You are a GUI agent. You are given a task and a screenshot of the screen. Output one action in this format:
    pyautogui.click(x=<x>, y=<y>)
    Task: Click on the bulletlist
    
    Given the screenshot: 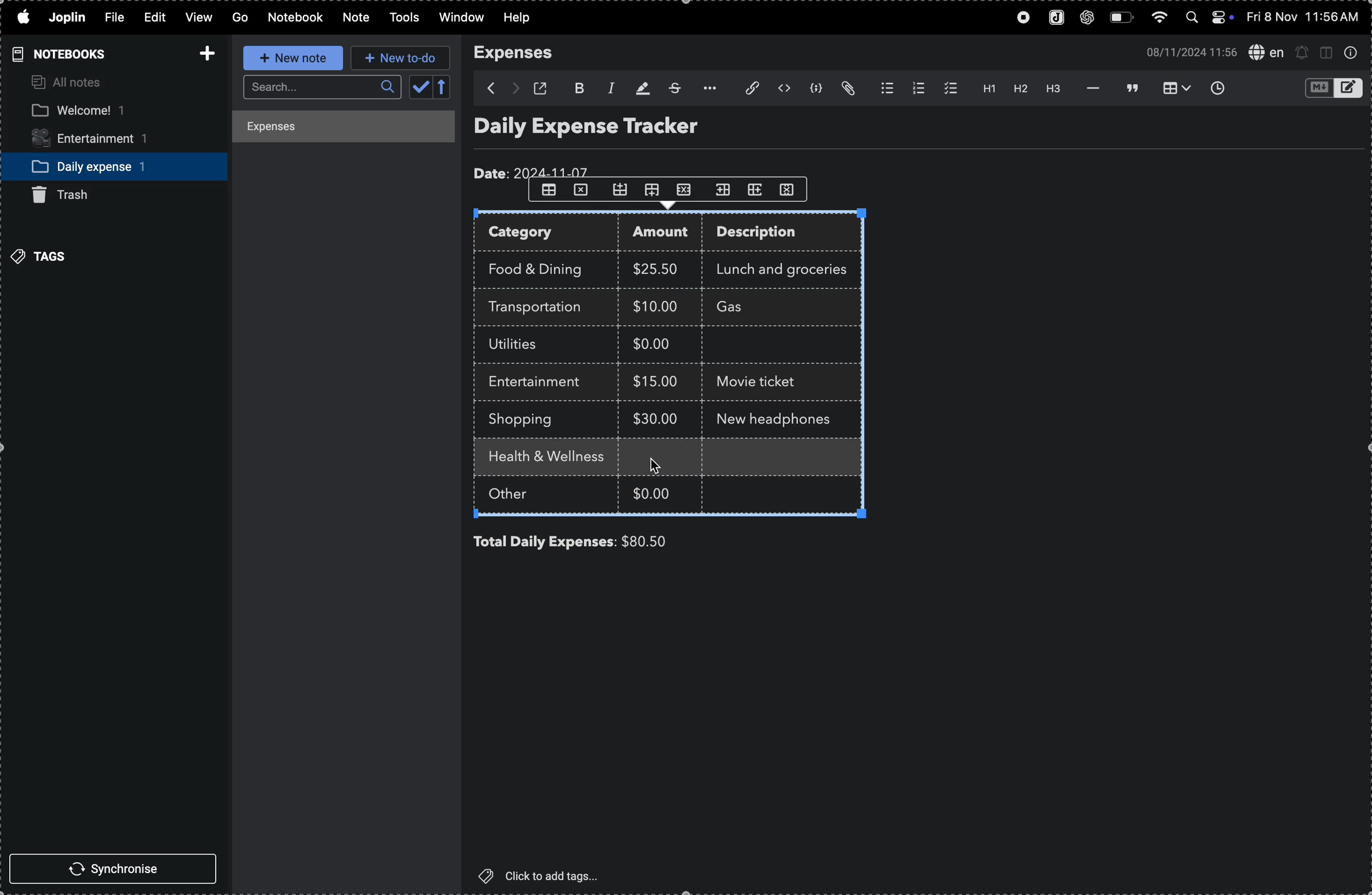 What is the action you would take?
    pyautogui.click(x=884, y=89)
    